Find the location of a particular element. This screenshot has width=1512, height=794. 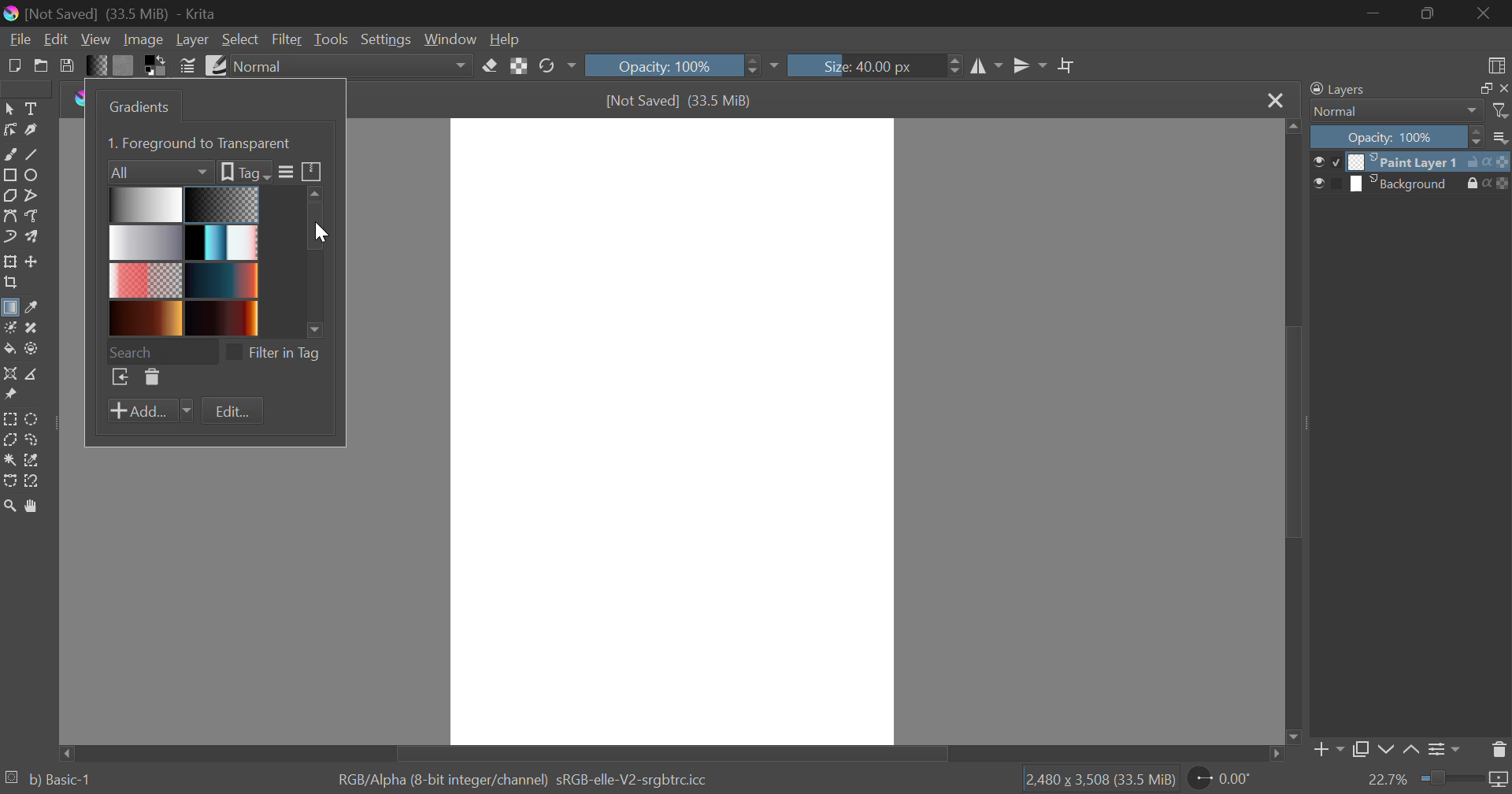

Delete is located at coordinates (150, 378).